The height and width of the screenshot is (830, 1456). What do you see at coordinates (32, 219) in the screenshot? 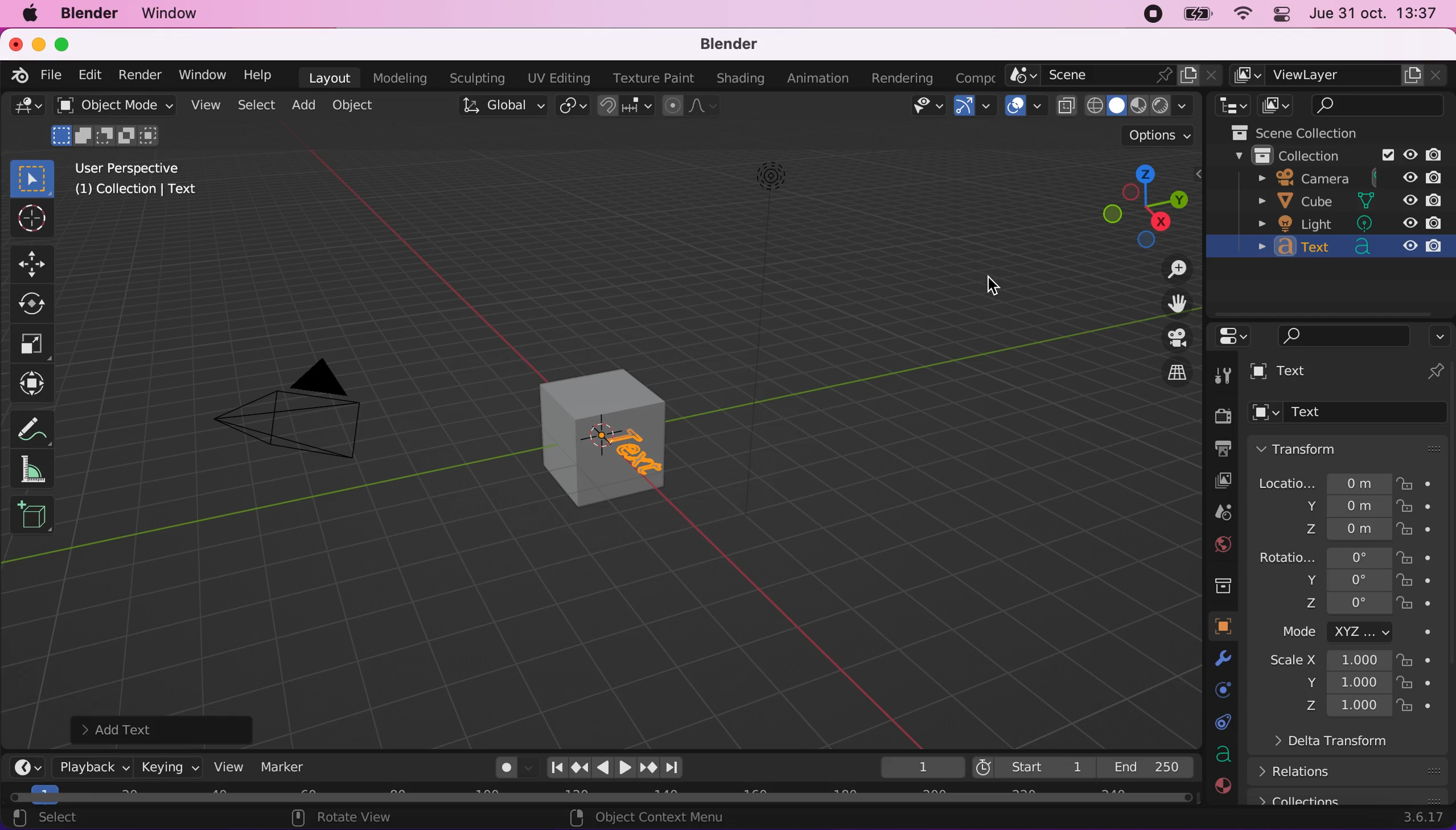
I see `cursor` at bounding box center [32, 219].